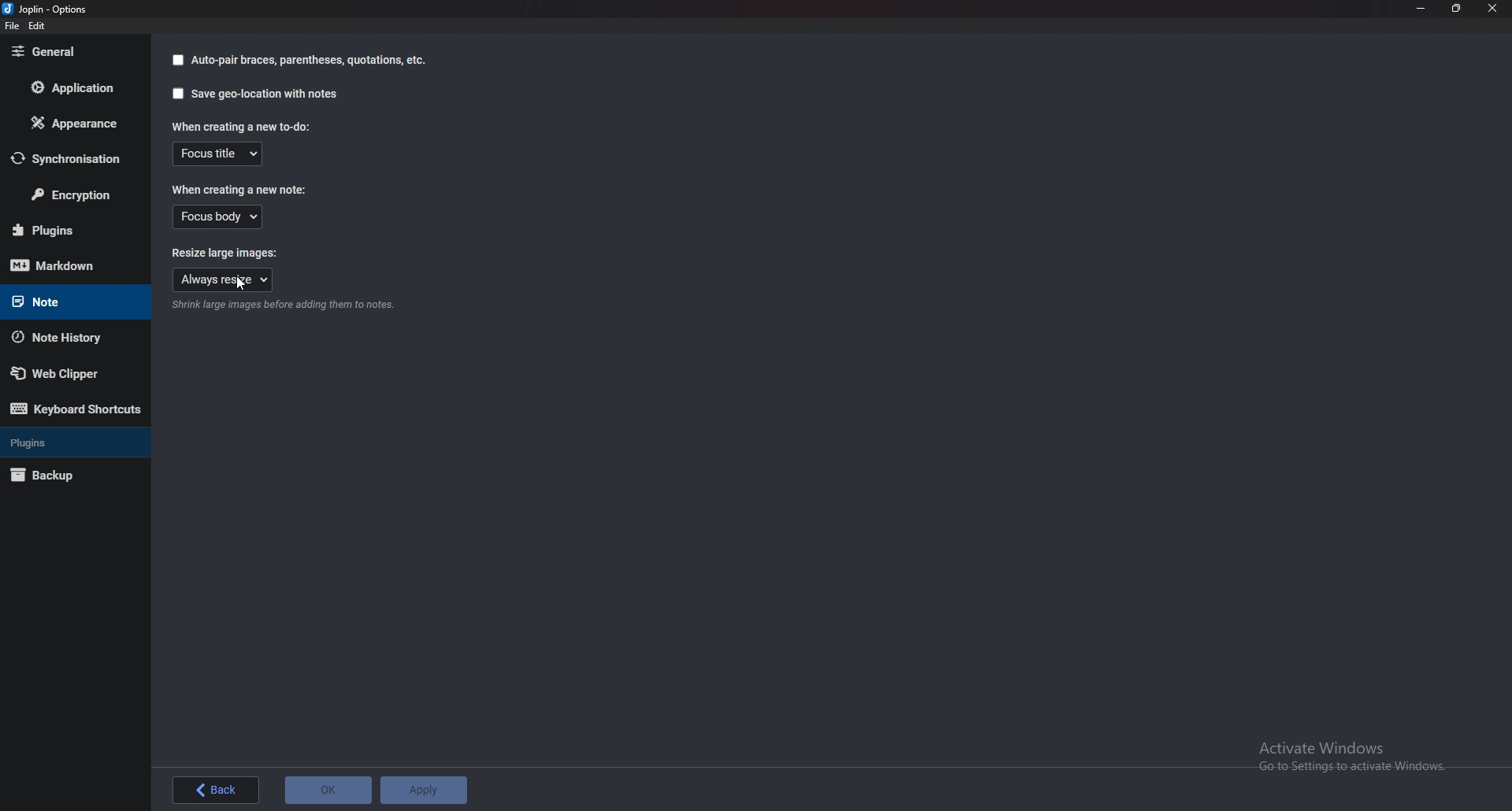  Describe the element at coordinates (69, 91) in the screenshot. I see `Application` at that location.